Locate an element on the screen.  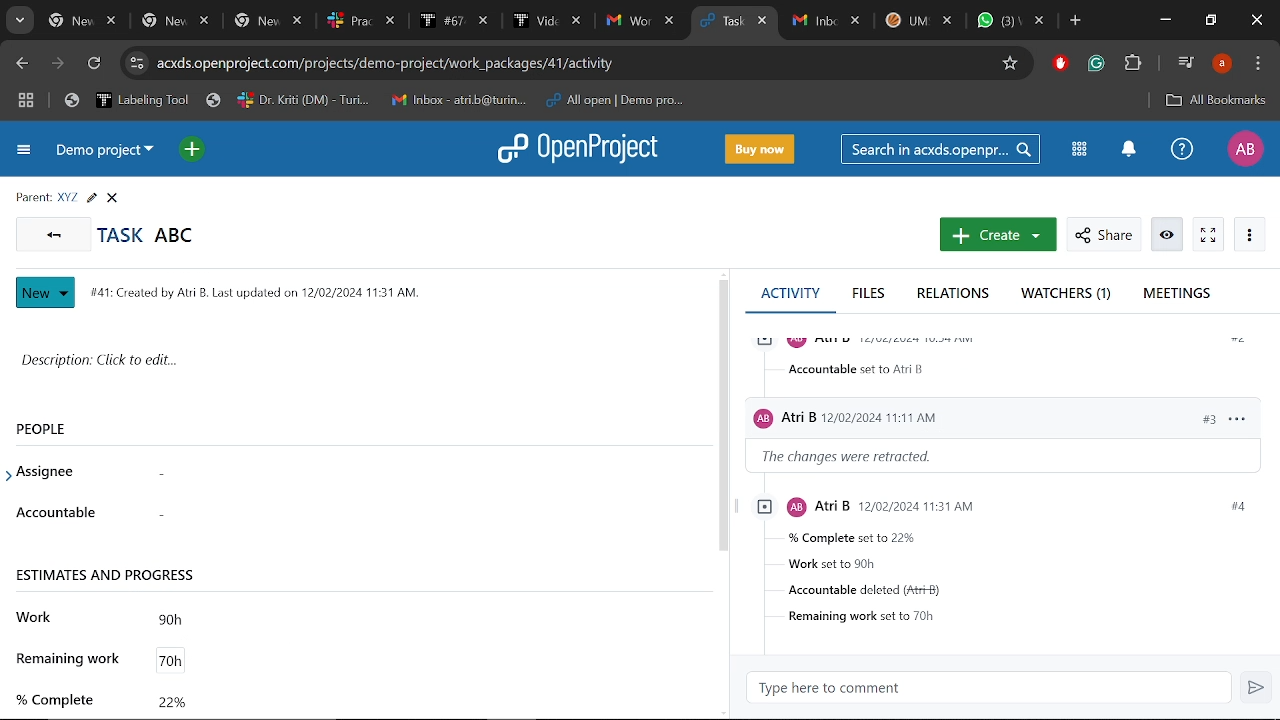
Completed work is located at coordinates (172, 702).